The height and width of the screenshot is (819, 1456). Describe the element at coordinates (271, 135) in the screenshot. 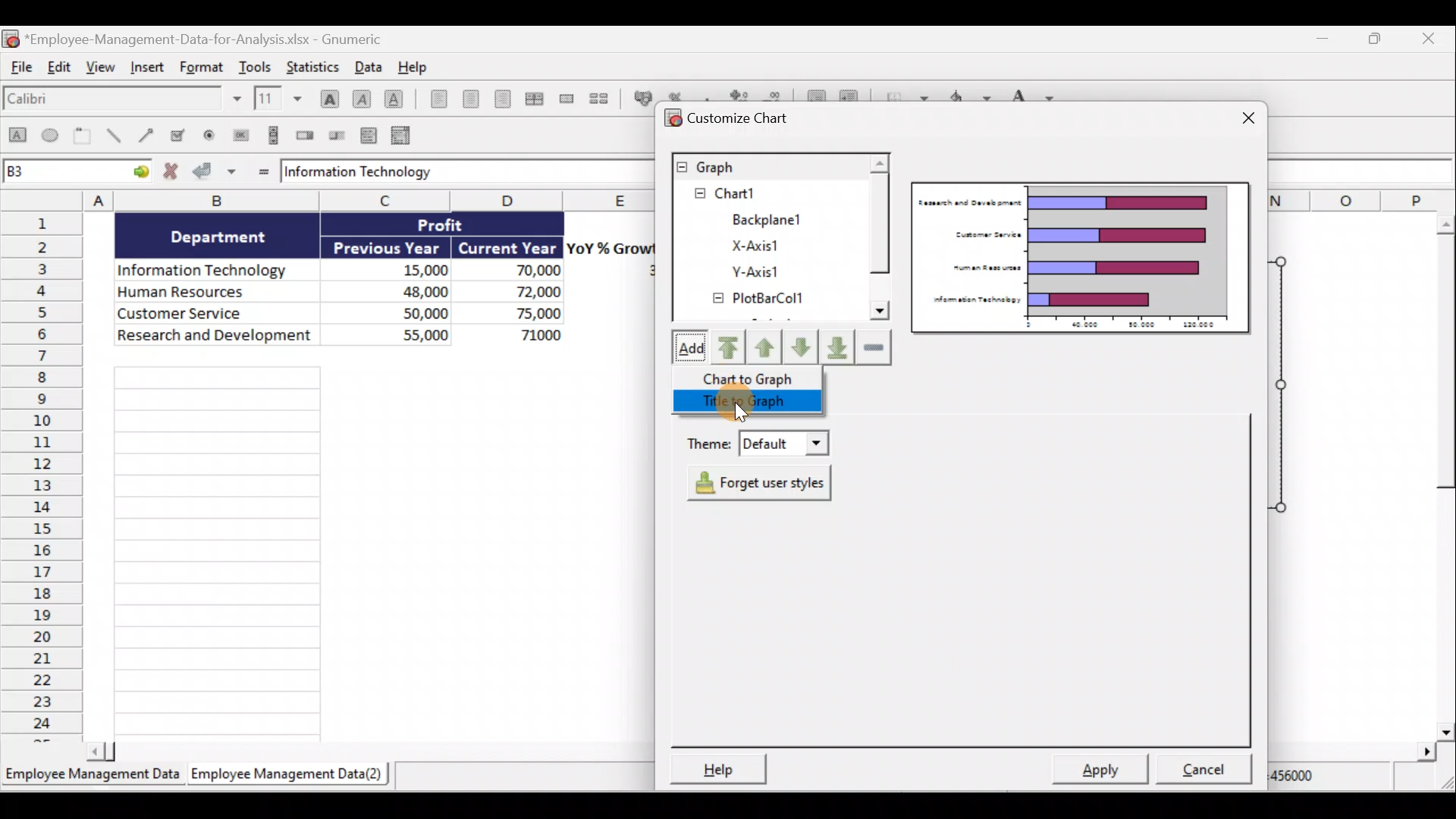

I see `Create a scrollbar` at that location.